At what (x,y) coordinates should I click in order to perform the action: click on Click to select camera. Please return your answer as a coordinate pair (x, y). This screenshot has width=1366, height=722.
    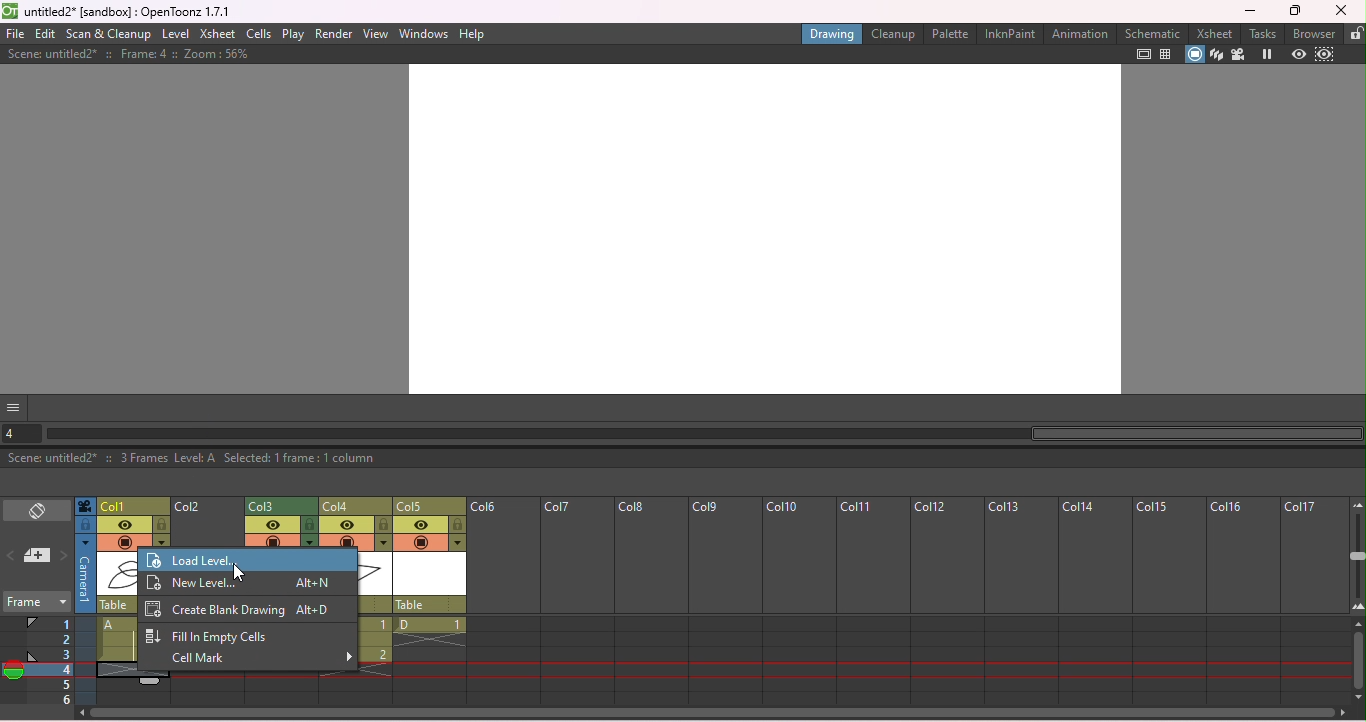
    Looking at the image, I should click on (86, 574).